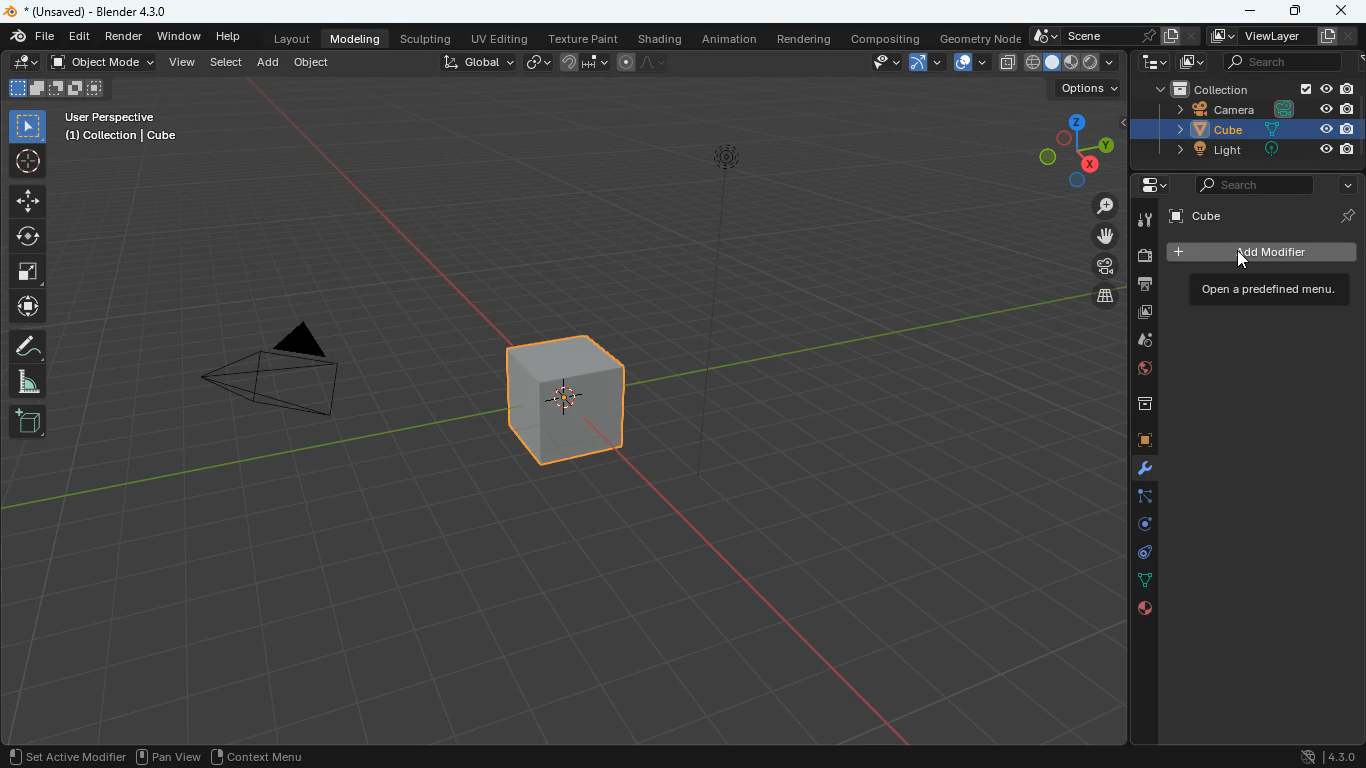 This screenshot has width=1366, height=768. I want to click on rendering, so click(804, 38).